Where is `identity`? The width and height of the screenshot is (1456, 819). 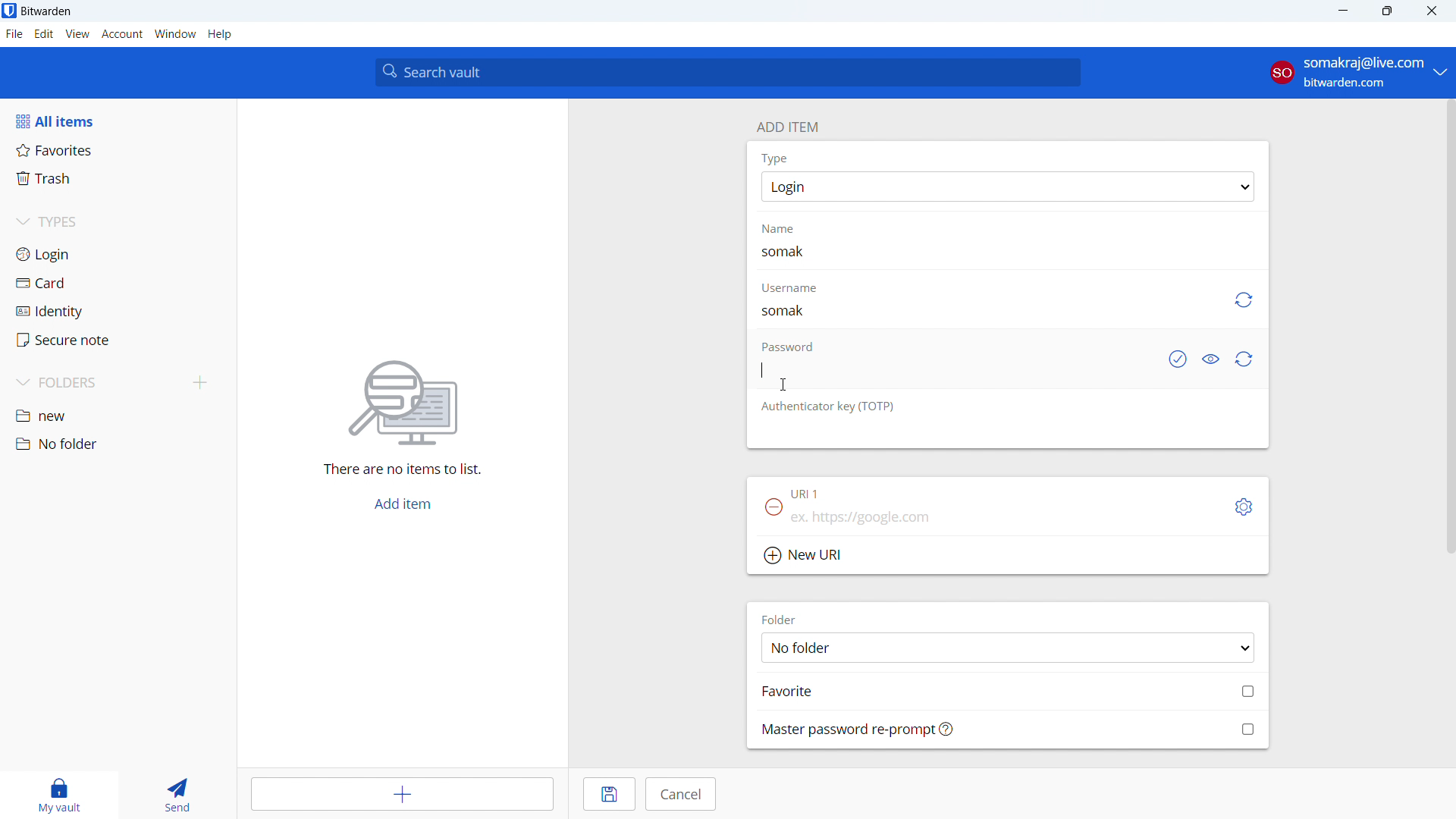 identity is located at coordinates (118, 312).